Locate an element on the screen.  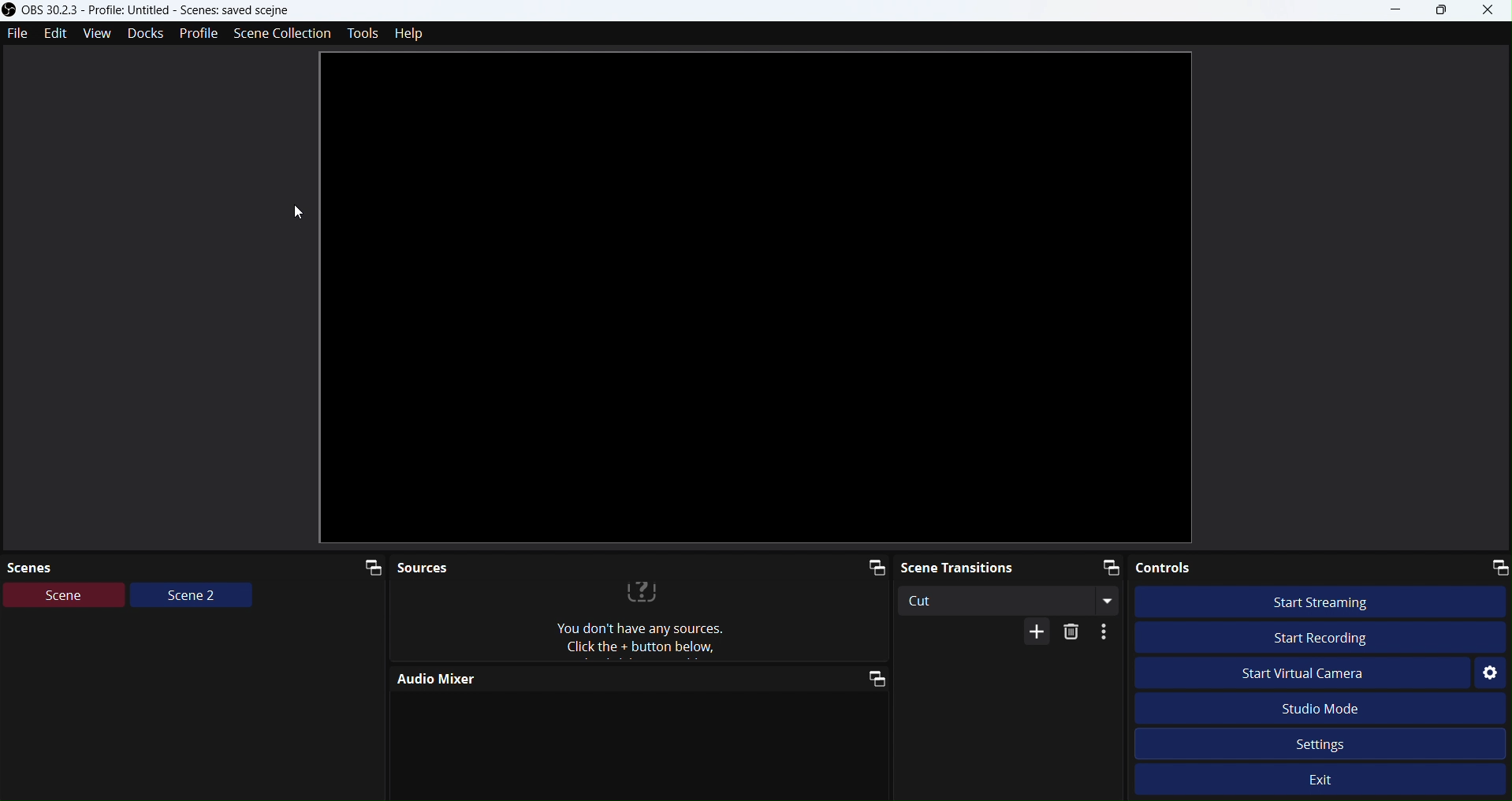
Controls is located at coordinates (1322, 568).